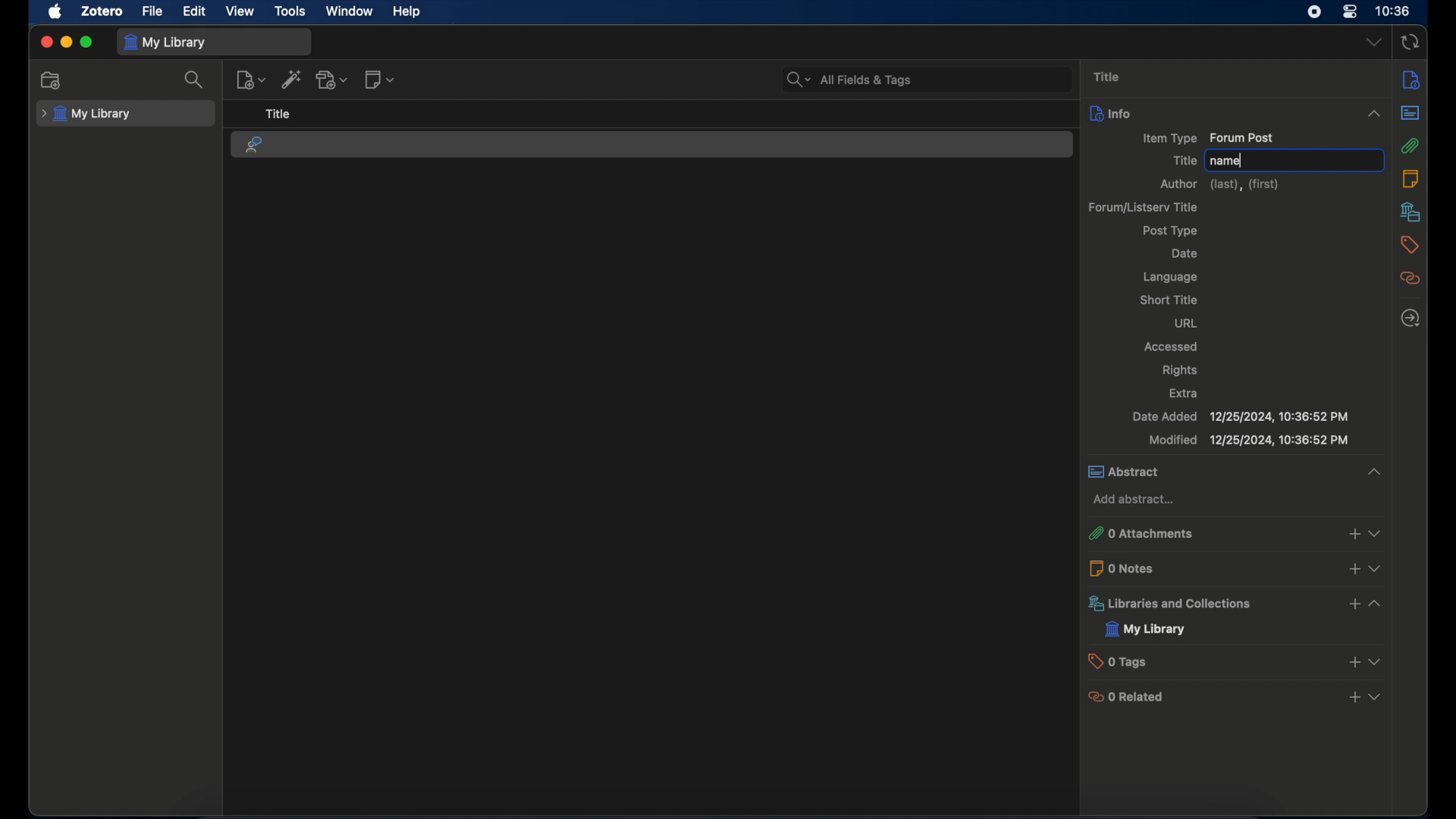 The width and height of the screenshot is (1456, 819). I want to click on my library, so click(83, 115).